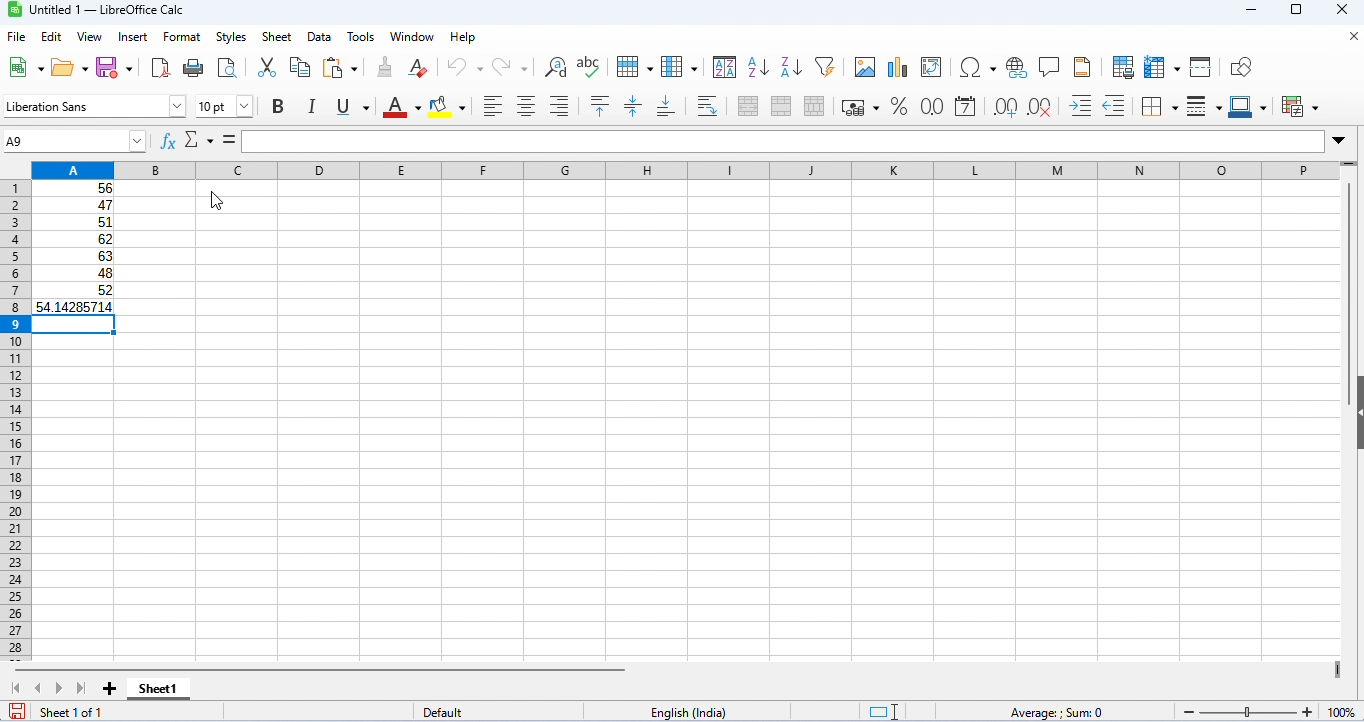 The height and width of the screenshot is (722, 1364). What do you see at coordinates (328, 669) in the screenshot?
I see `horizontal scroll bar` at bounding box center [328, 669].